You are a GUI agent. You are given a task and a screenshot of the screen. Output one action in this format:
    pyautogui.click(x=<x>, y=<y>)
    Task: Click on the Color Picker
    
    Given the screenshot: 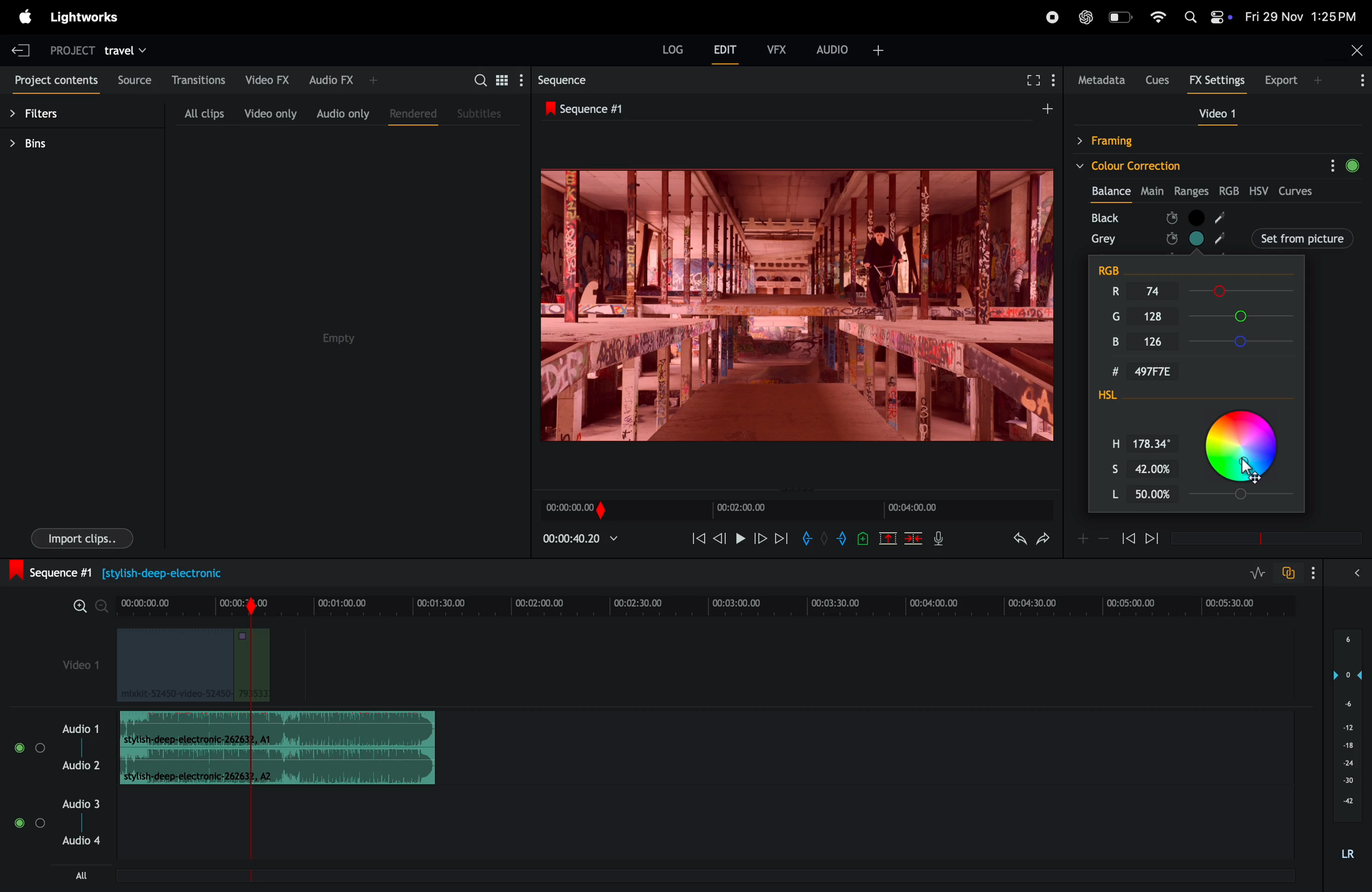 What is the action you would take?
    pyautogui.click(x=1243, y=449)
    